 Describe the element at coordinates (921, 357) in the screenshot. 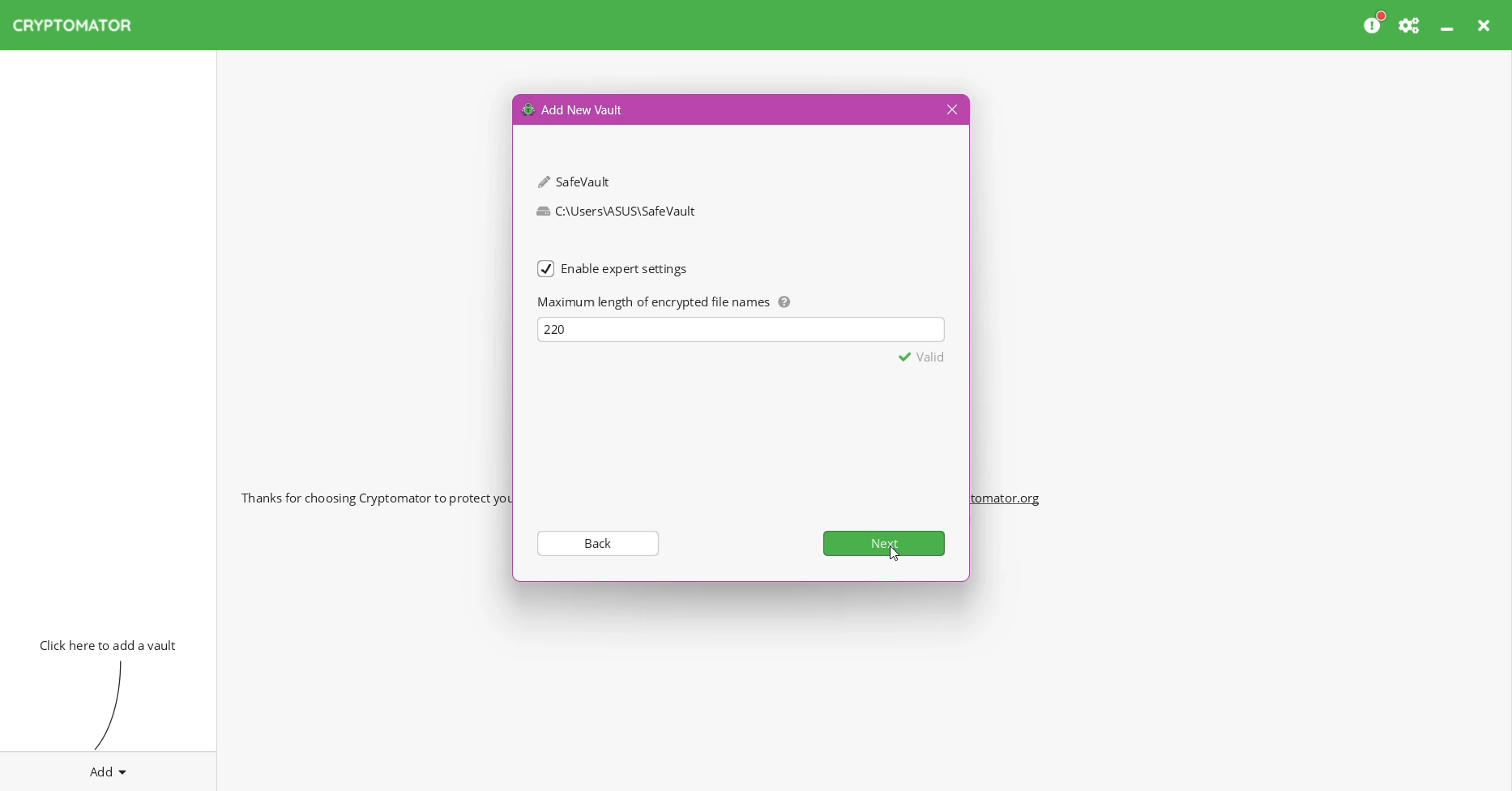

I see `Valid` at that location.